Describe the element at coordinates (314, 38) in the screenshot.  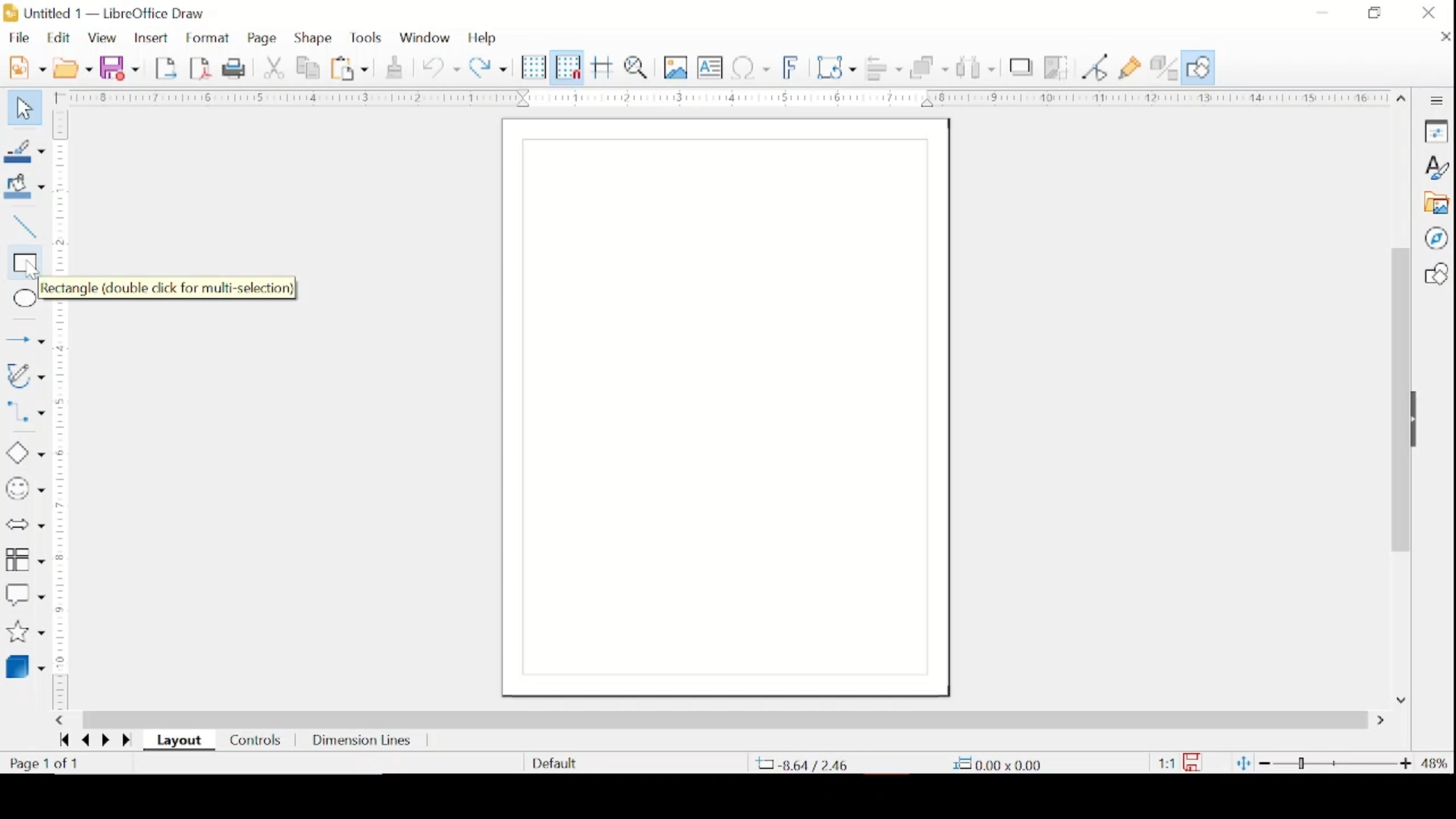
I see `shape` at that location.